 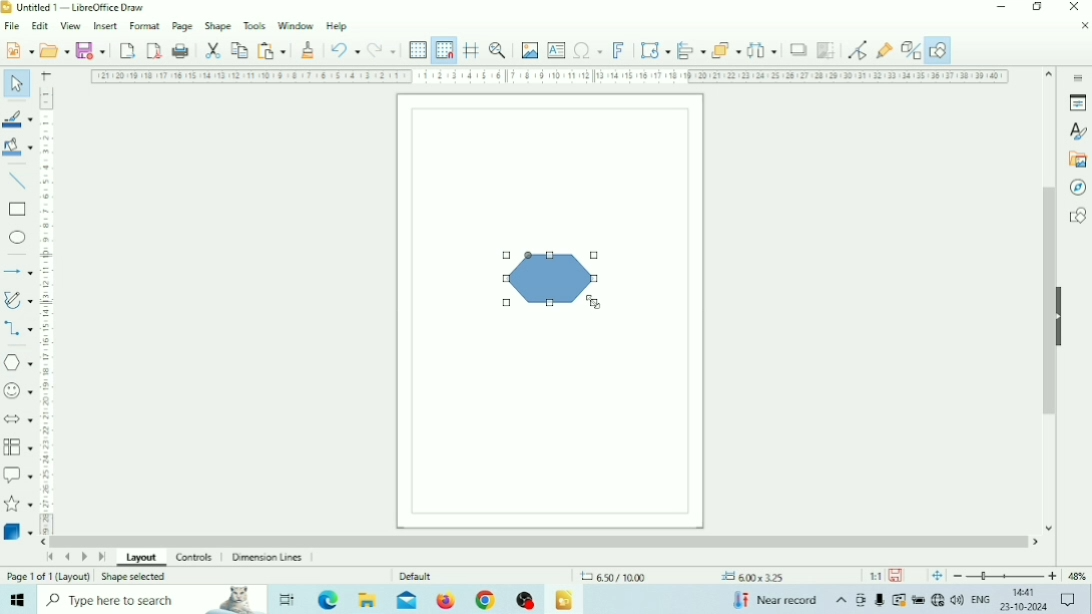 I want to click on Show hidden icons, so click(x=841, y=600).